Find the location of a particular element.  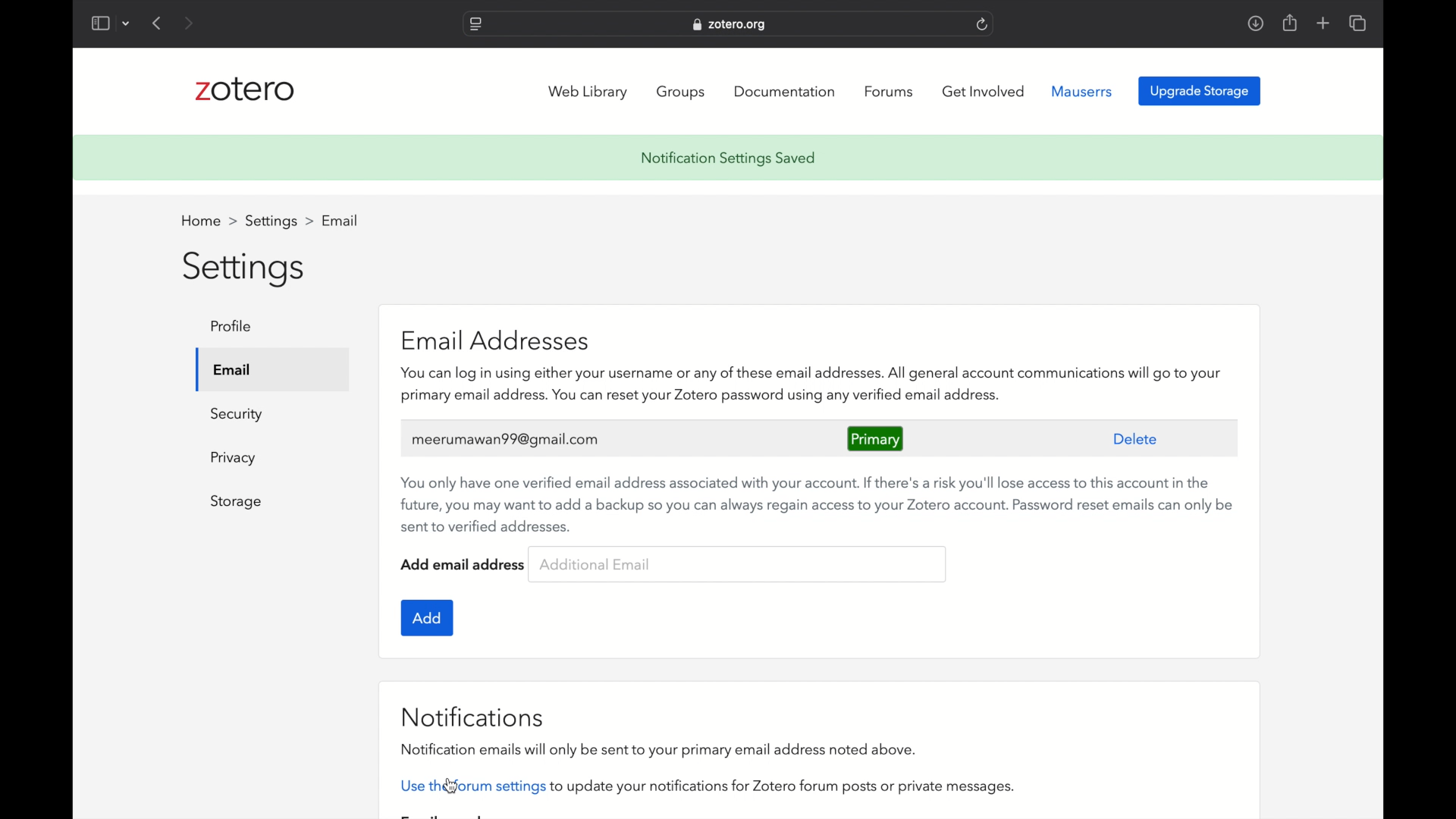

cursor is located at coordinates (452, 787).